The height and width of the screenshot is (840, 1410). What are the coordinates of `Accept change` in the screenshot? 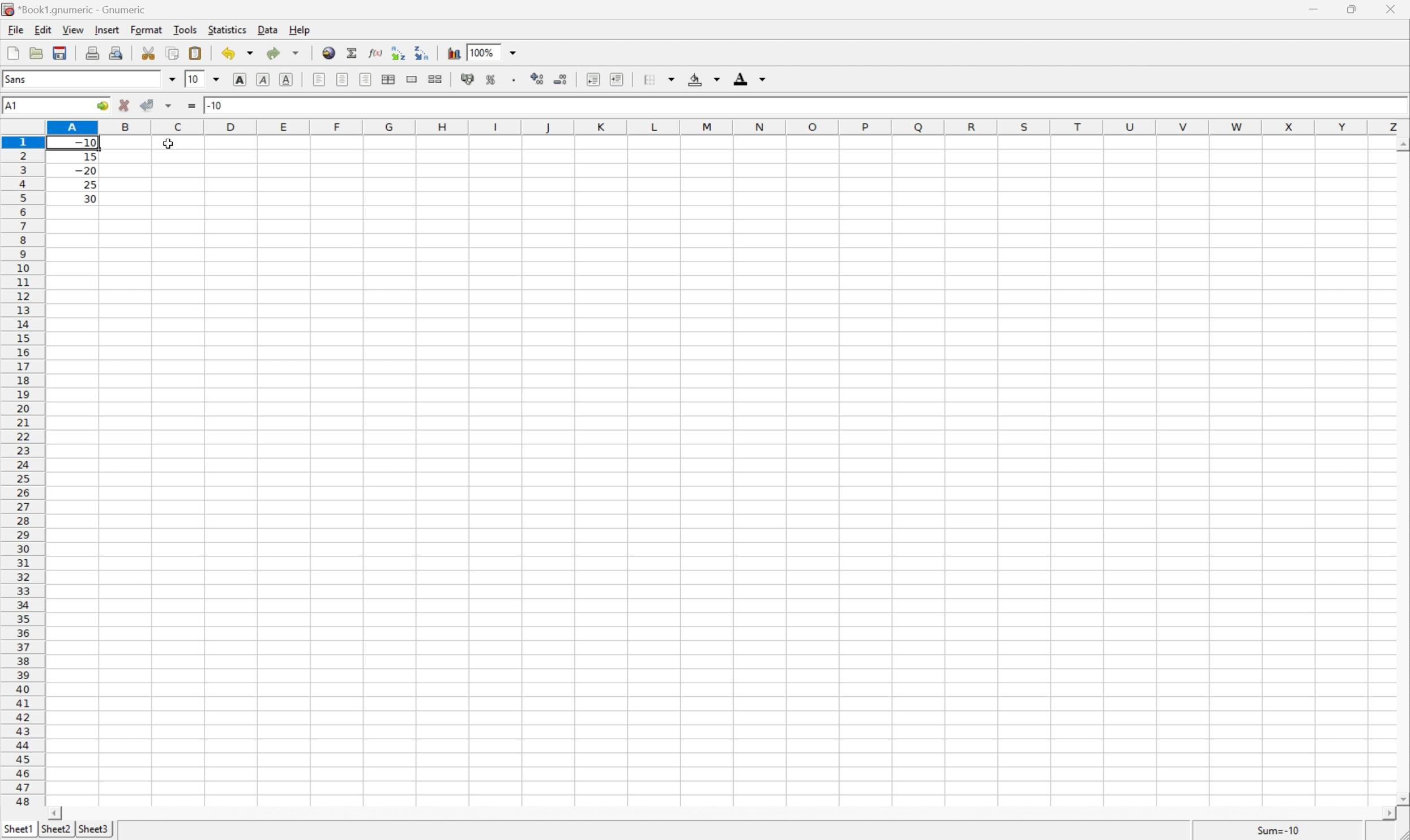 It's located at (148, 105).